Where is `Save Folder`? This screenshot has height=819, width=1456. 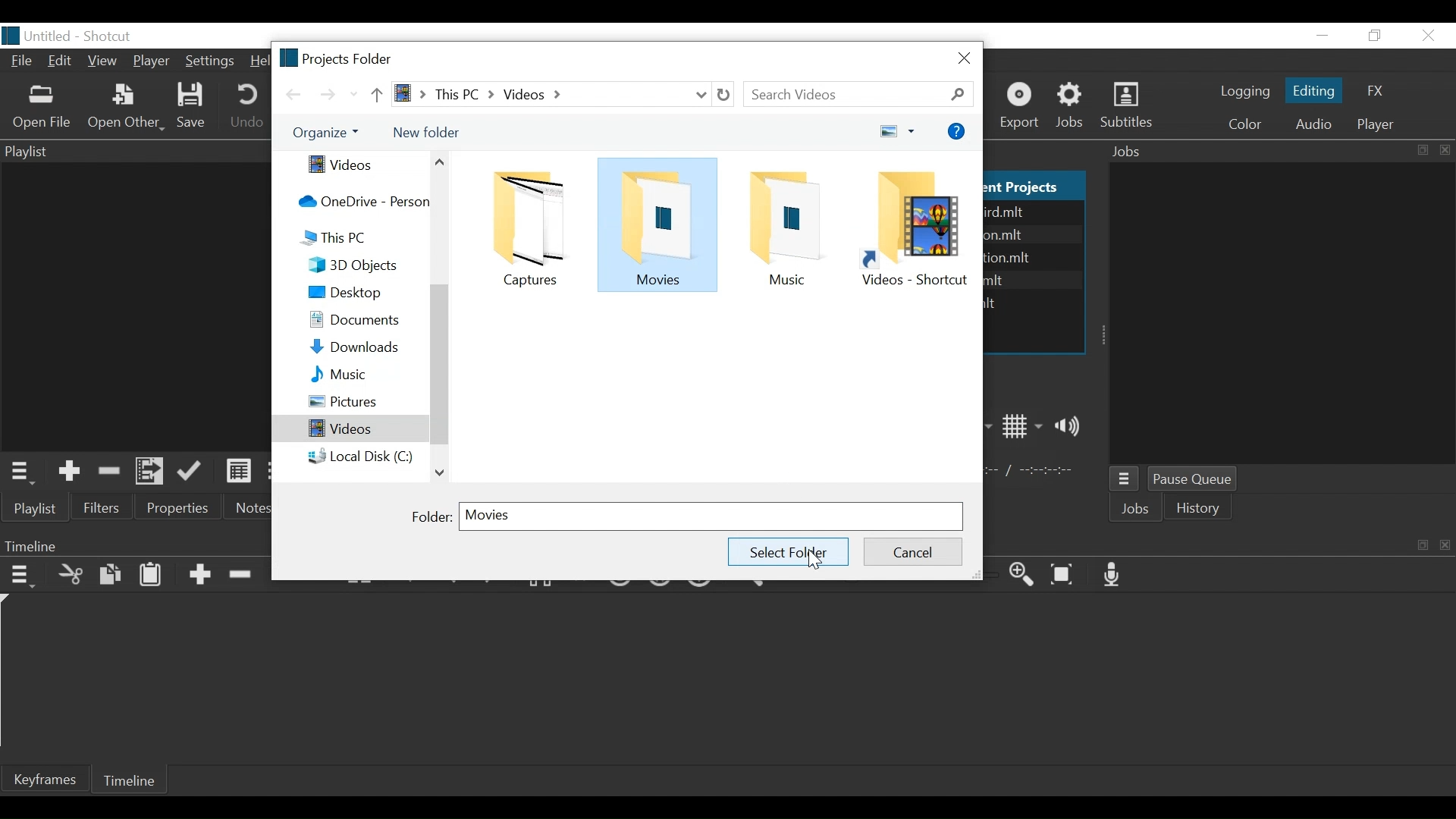
Save Folder is located at coordinates (789, 551).